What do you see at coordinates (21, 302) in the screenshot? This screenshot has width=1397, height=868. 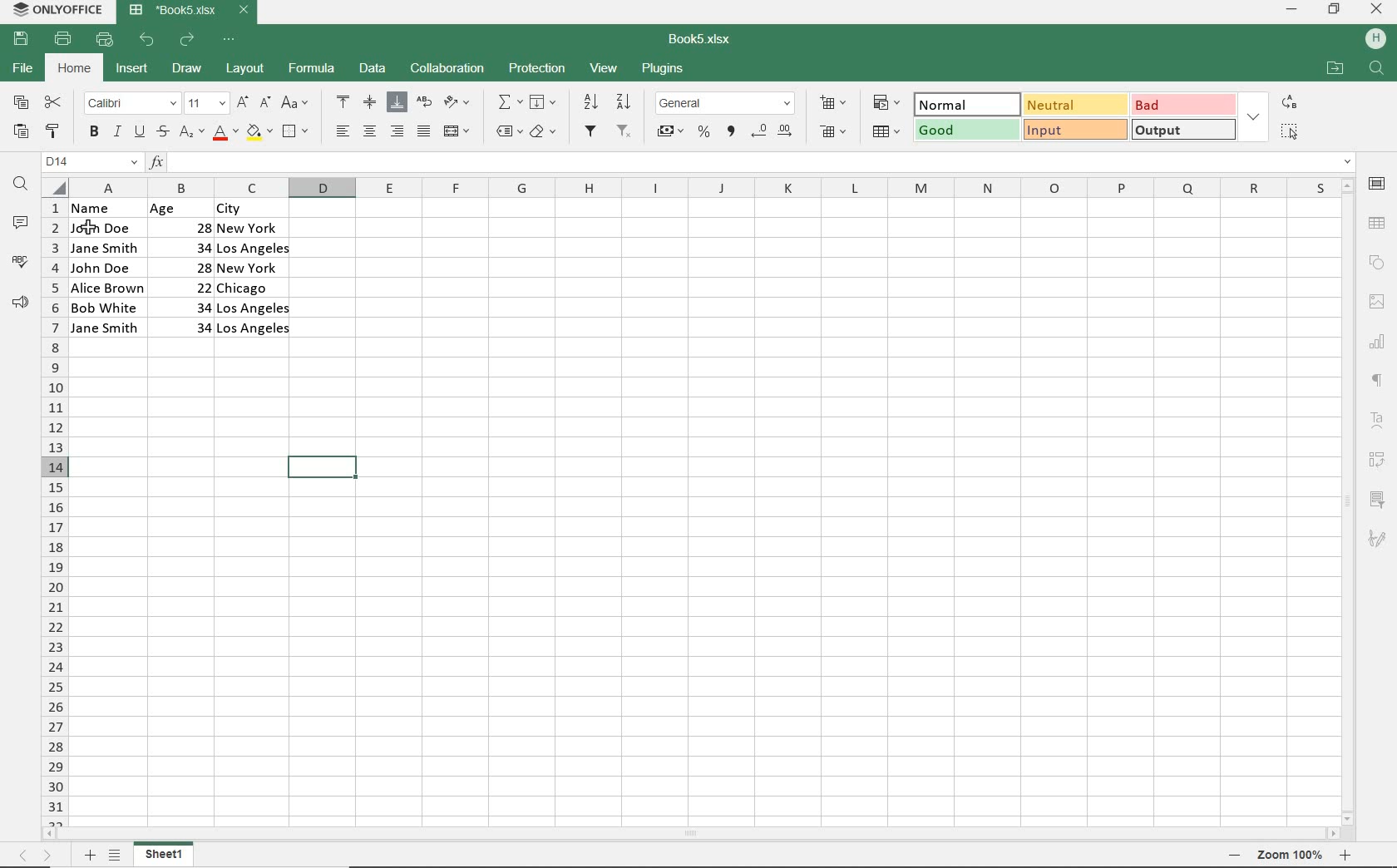 I see `FEEDBACK & SUPPORT` at bounding box center [21, 302].